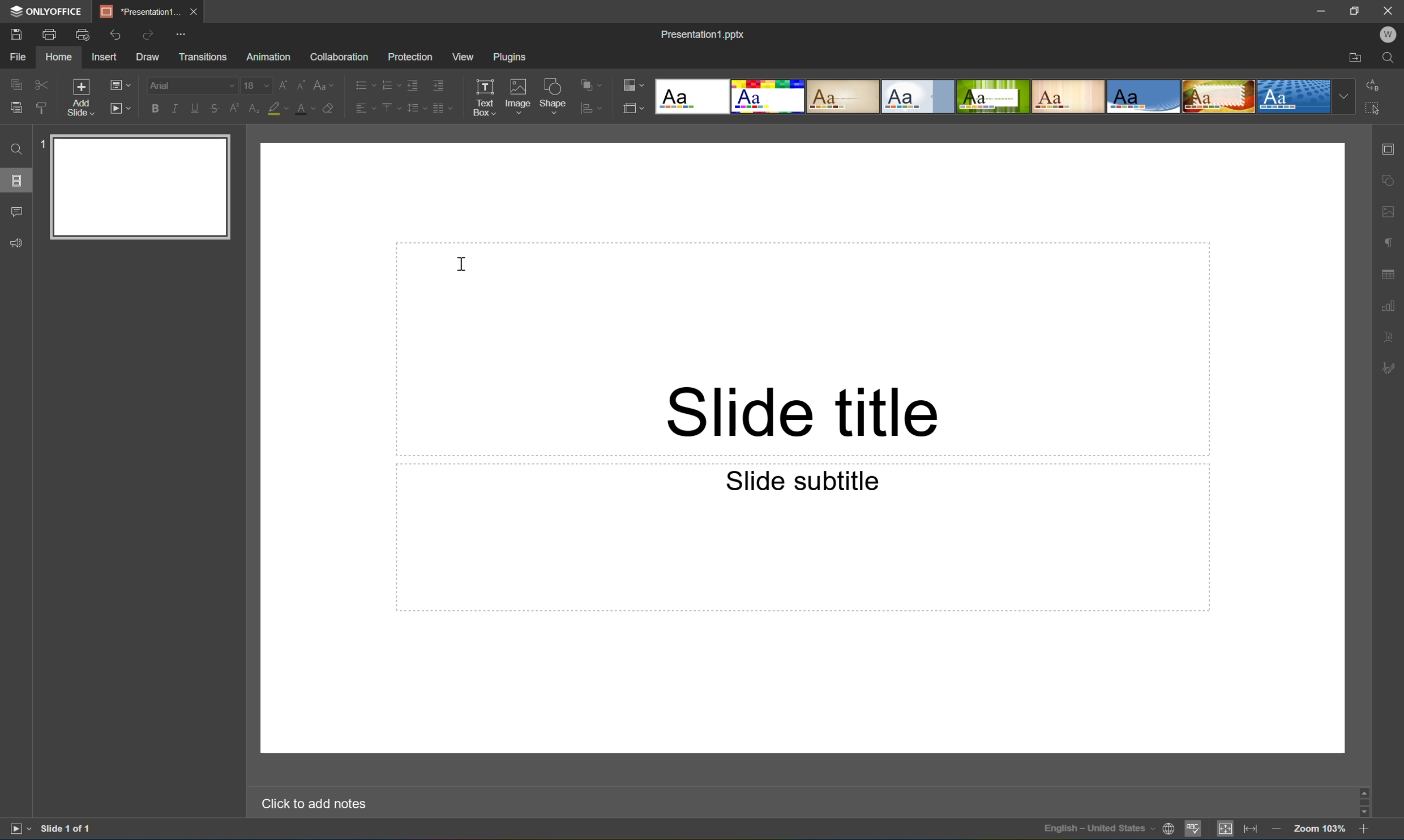 The height and width of the screenshot is (840, 1404). What do you see at coordinates (14, 33) in the screenshot?
I see `Save` at bounding box center [14, 33].